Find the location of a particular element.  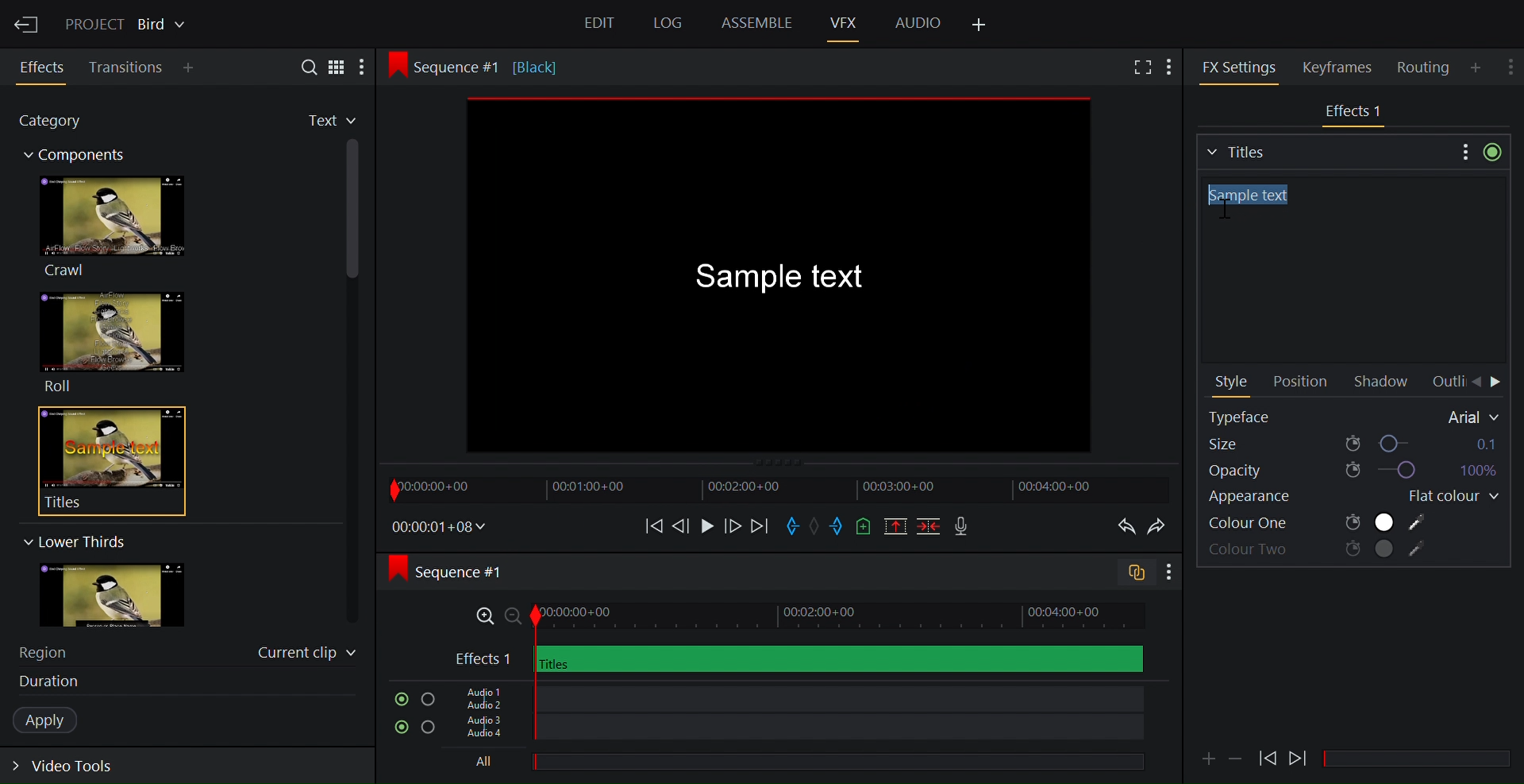

Show settings menu is located at coordinates (1463, 151).